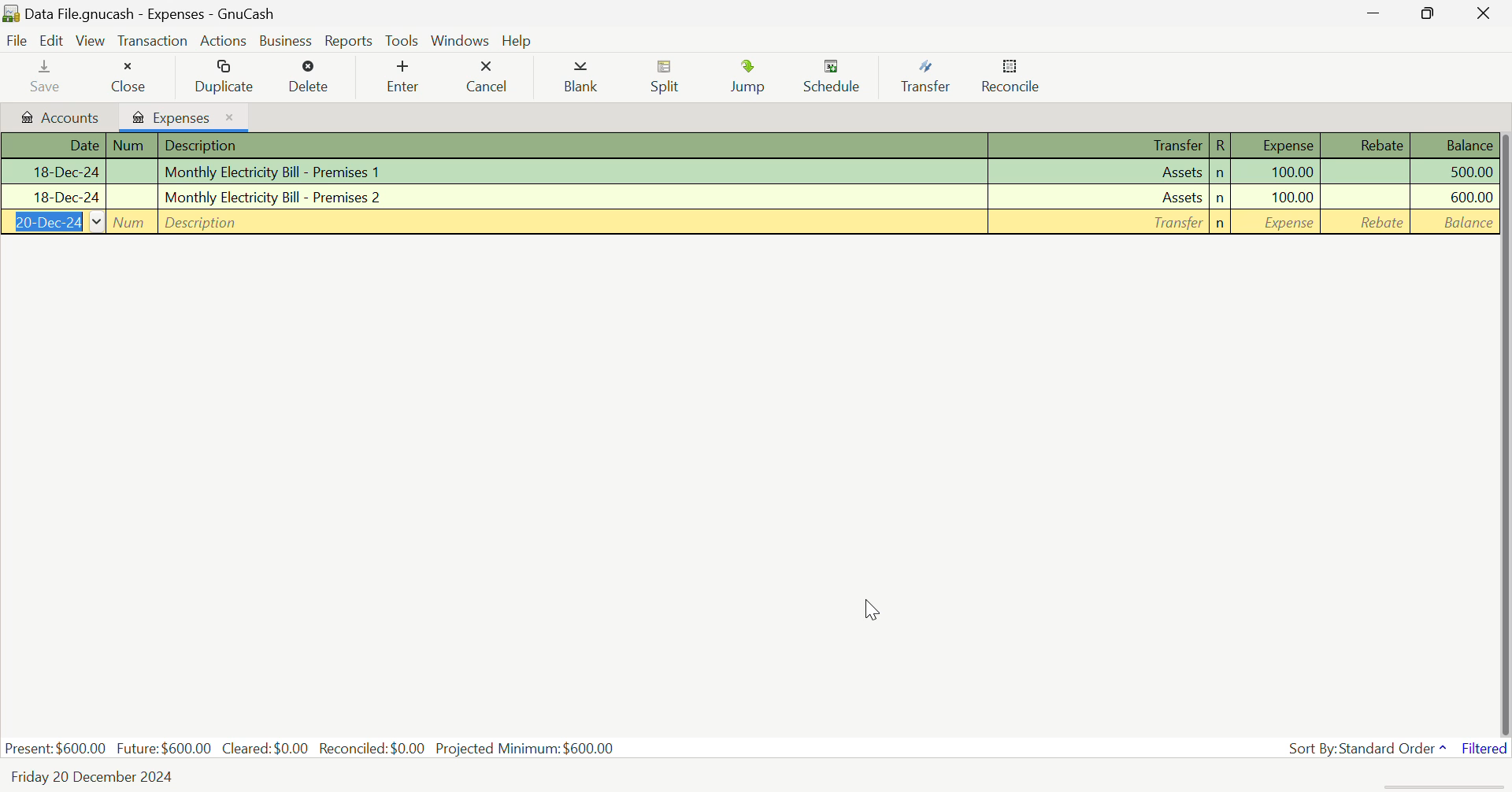 This screenshot has width=1512, height=792. I want to click on Jump, so click(747, 79).